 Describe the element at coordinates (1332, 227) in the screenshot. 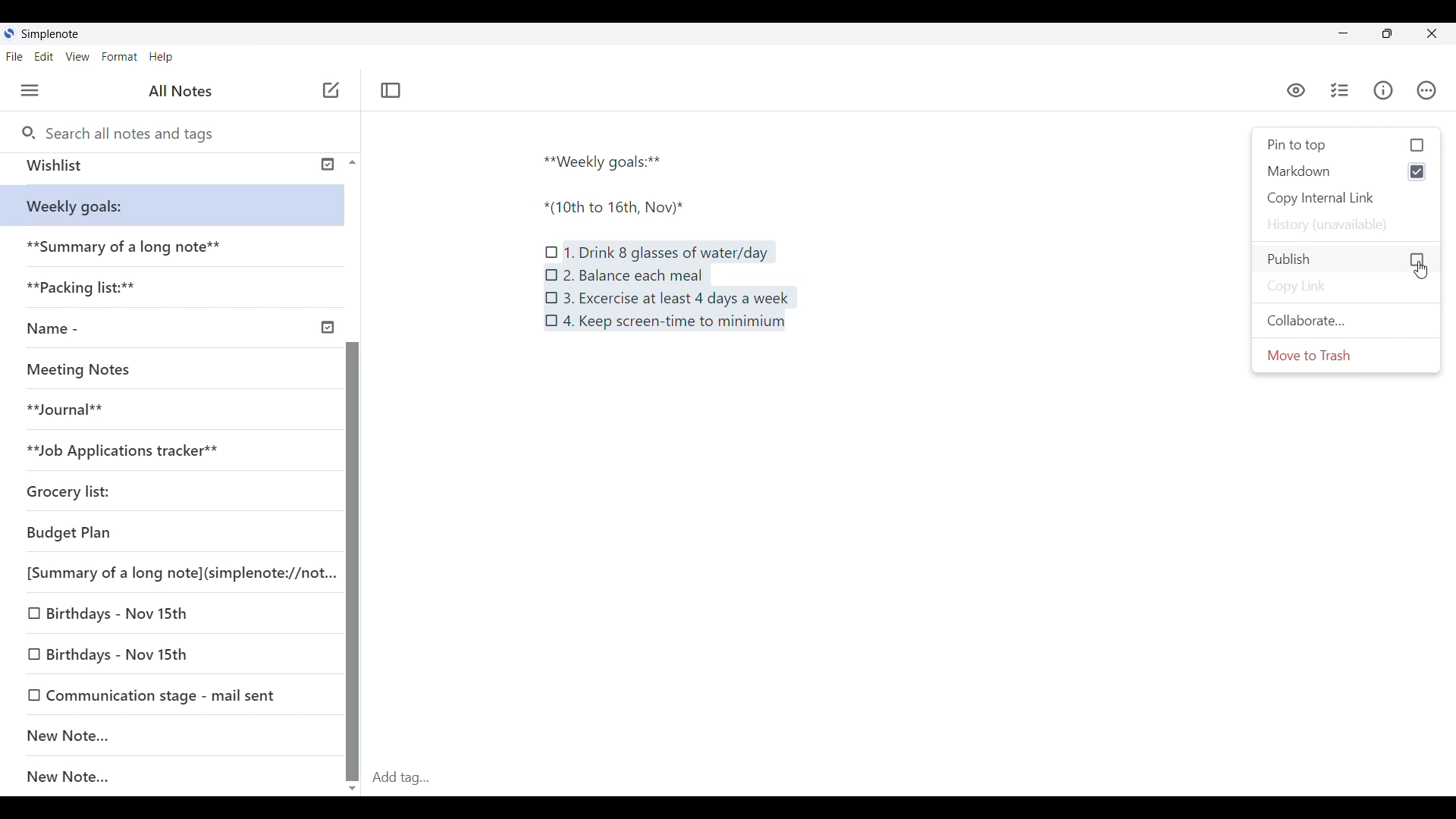

I see `History (unavailable)` at that location.